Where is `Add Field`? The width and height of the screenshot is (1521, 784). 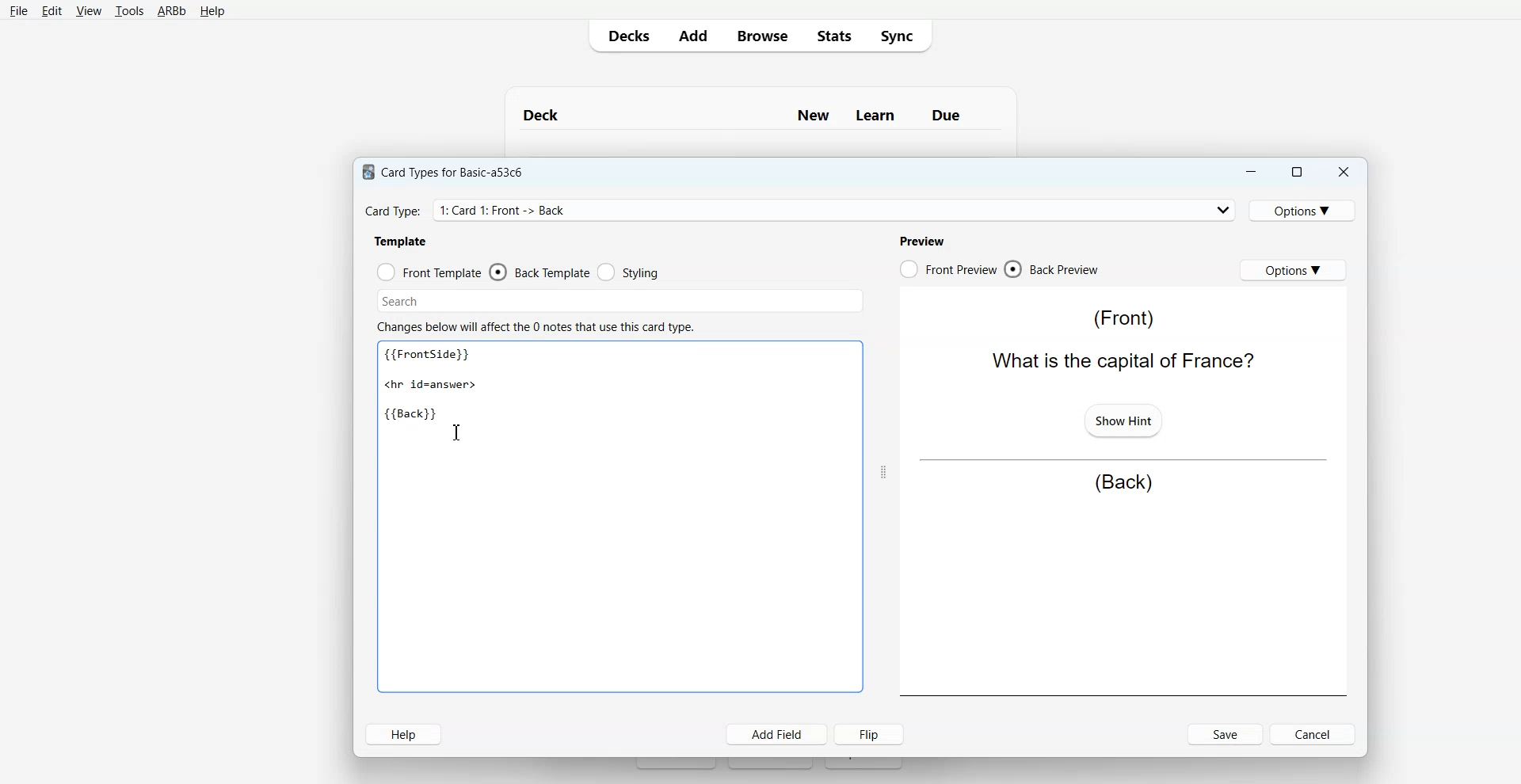
Add Field is located at coordinates (777, 734).